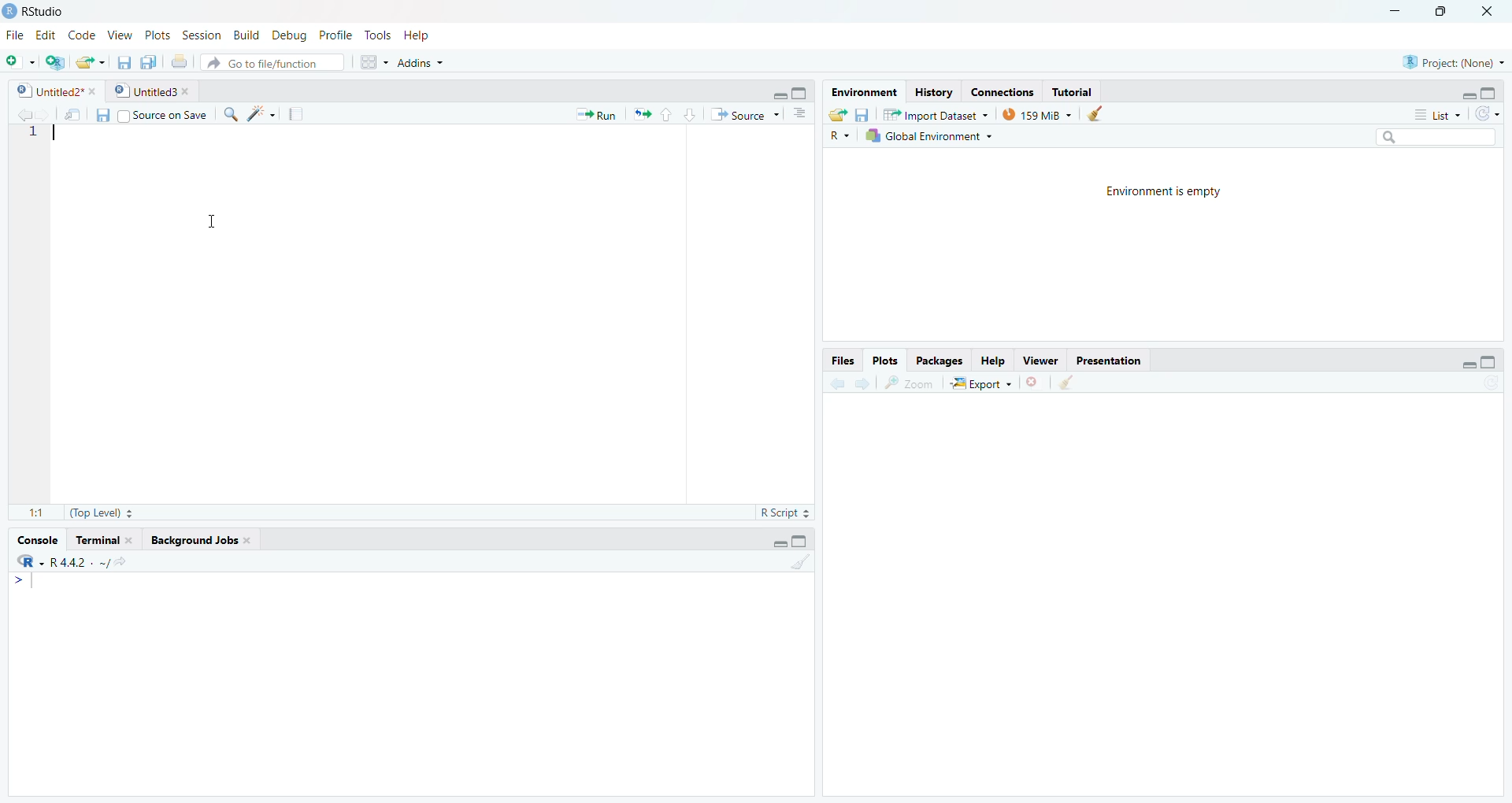 This screenshot has height=803, width=1512. I want to click on R Script, so click(784, 513).